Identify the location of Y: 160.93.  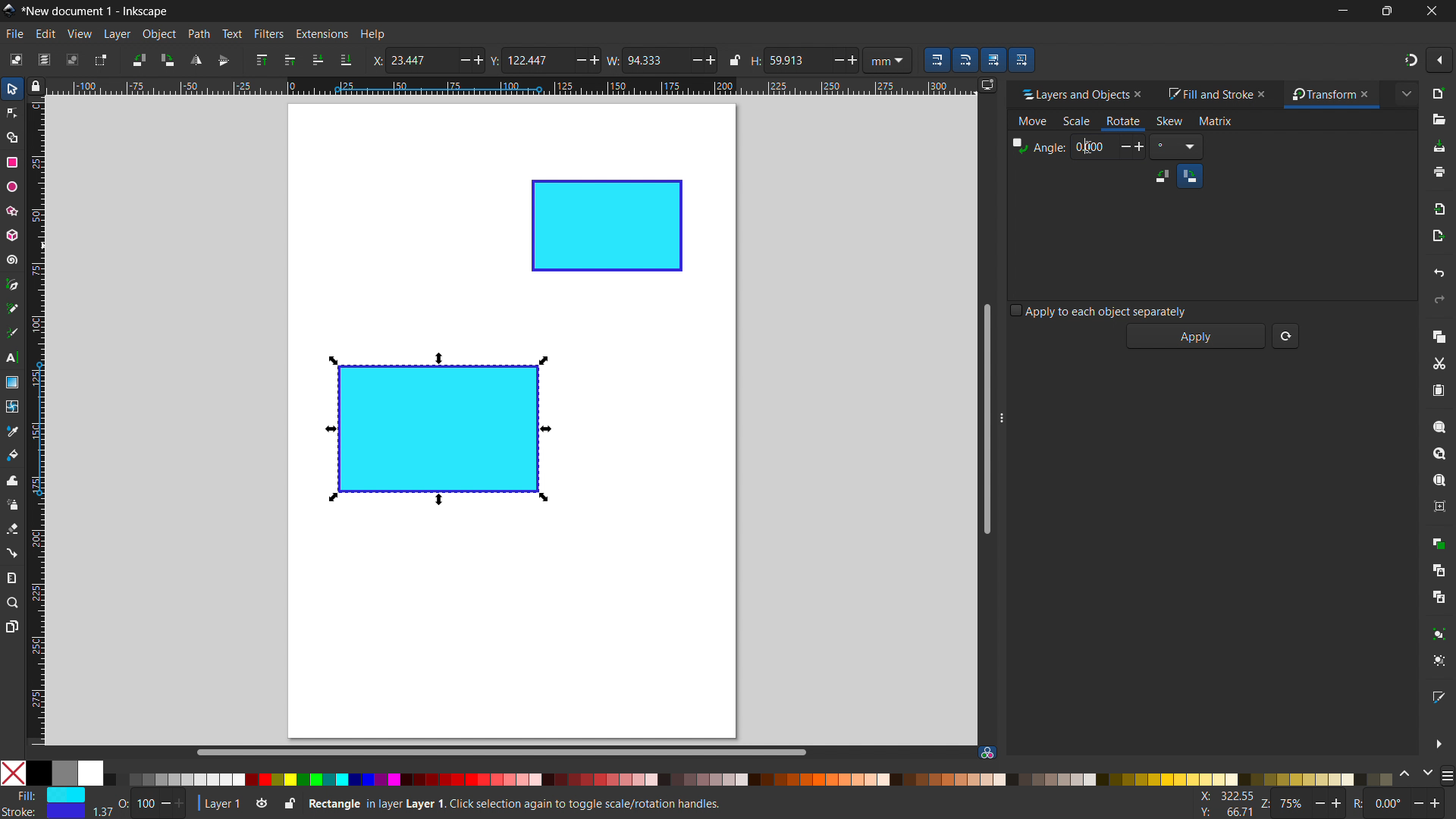
(1221, 813).